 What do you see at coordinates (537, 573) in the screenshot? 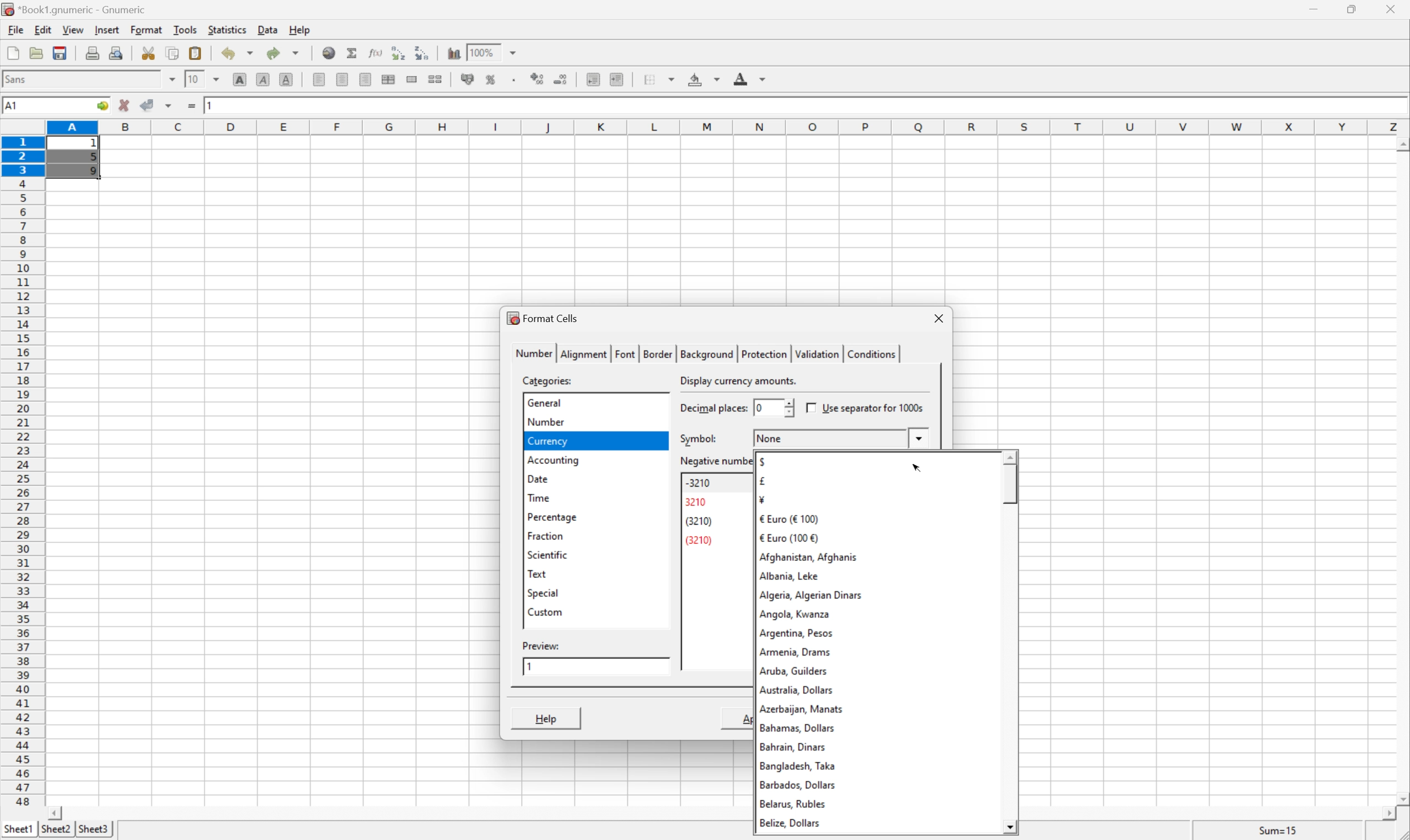
I see `text` at bounding box center [537, 573].